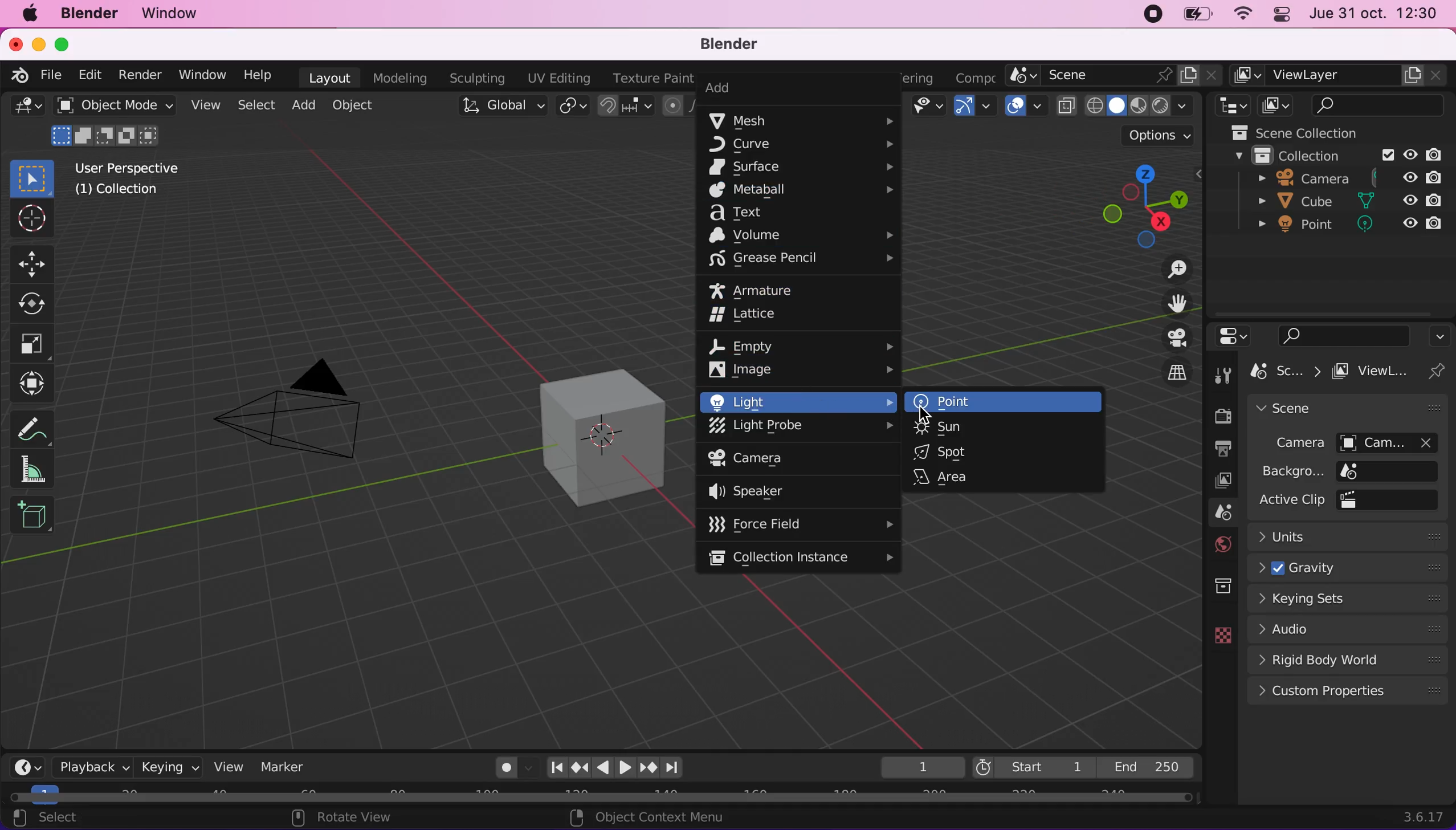  I want to click on Play animation, so click(626, 770).